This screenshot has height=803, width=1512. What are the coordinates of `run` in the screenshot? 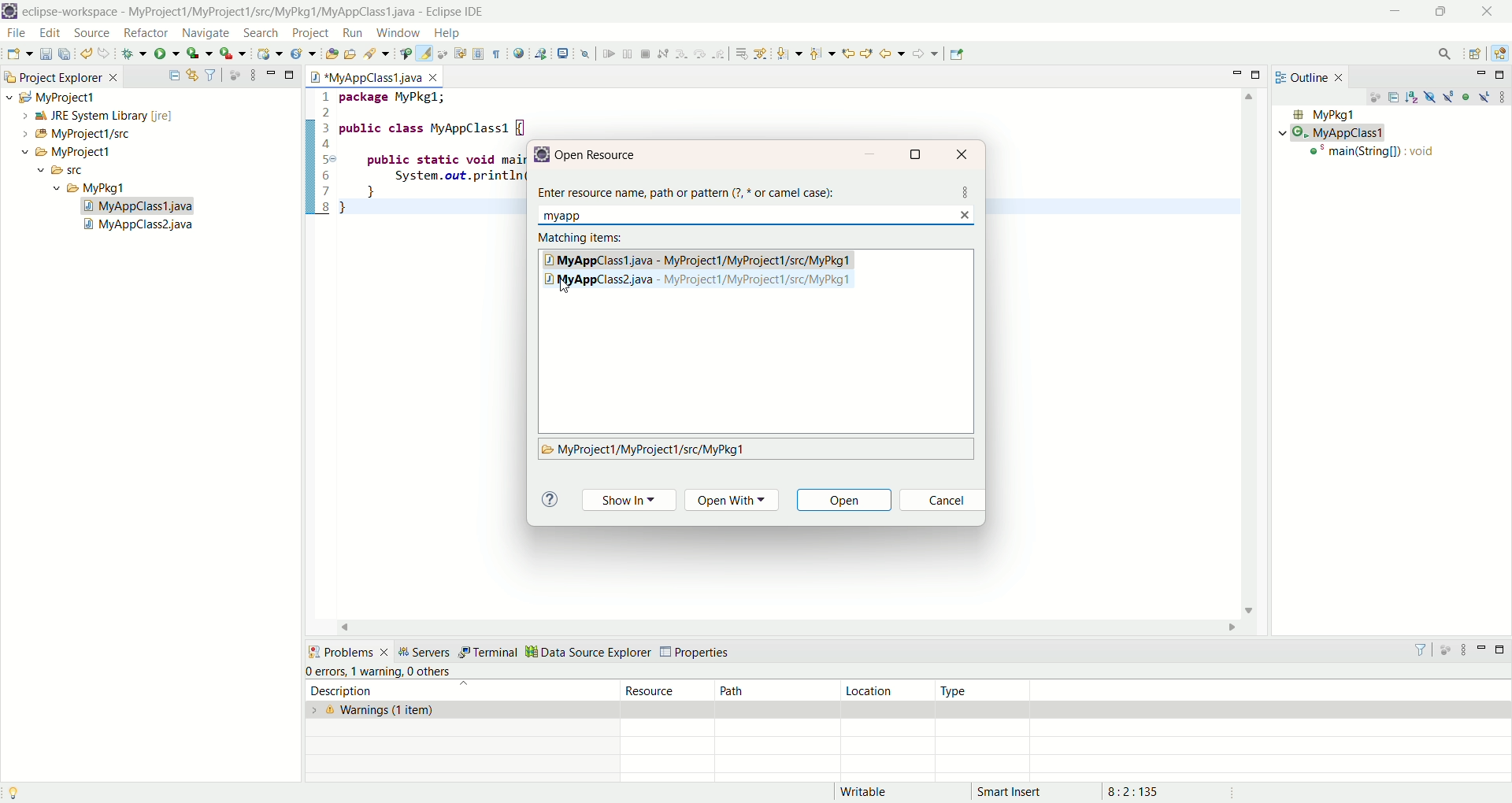 It's located at (353, 33).